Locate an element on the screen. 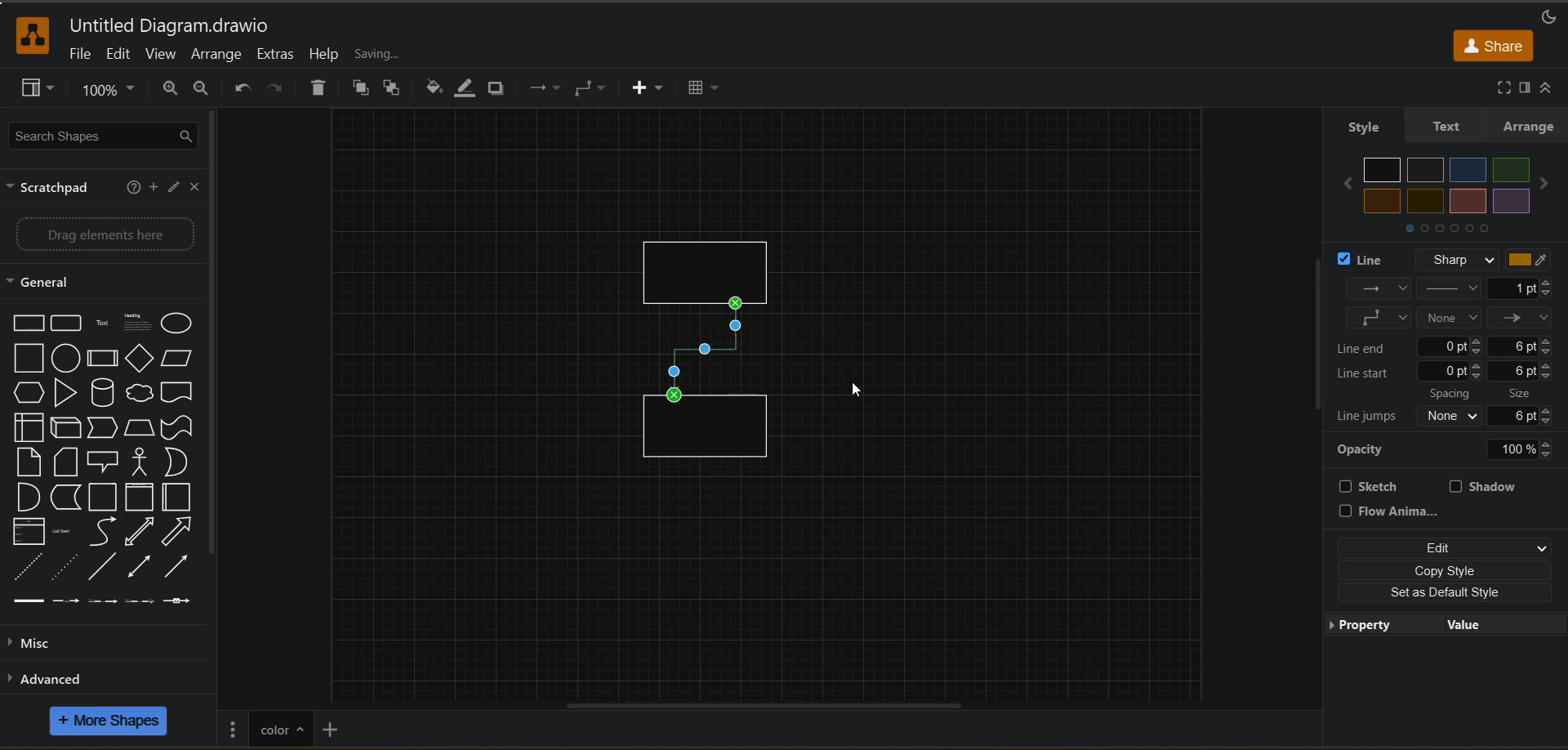  None is located at coordinates (1452, 416).